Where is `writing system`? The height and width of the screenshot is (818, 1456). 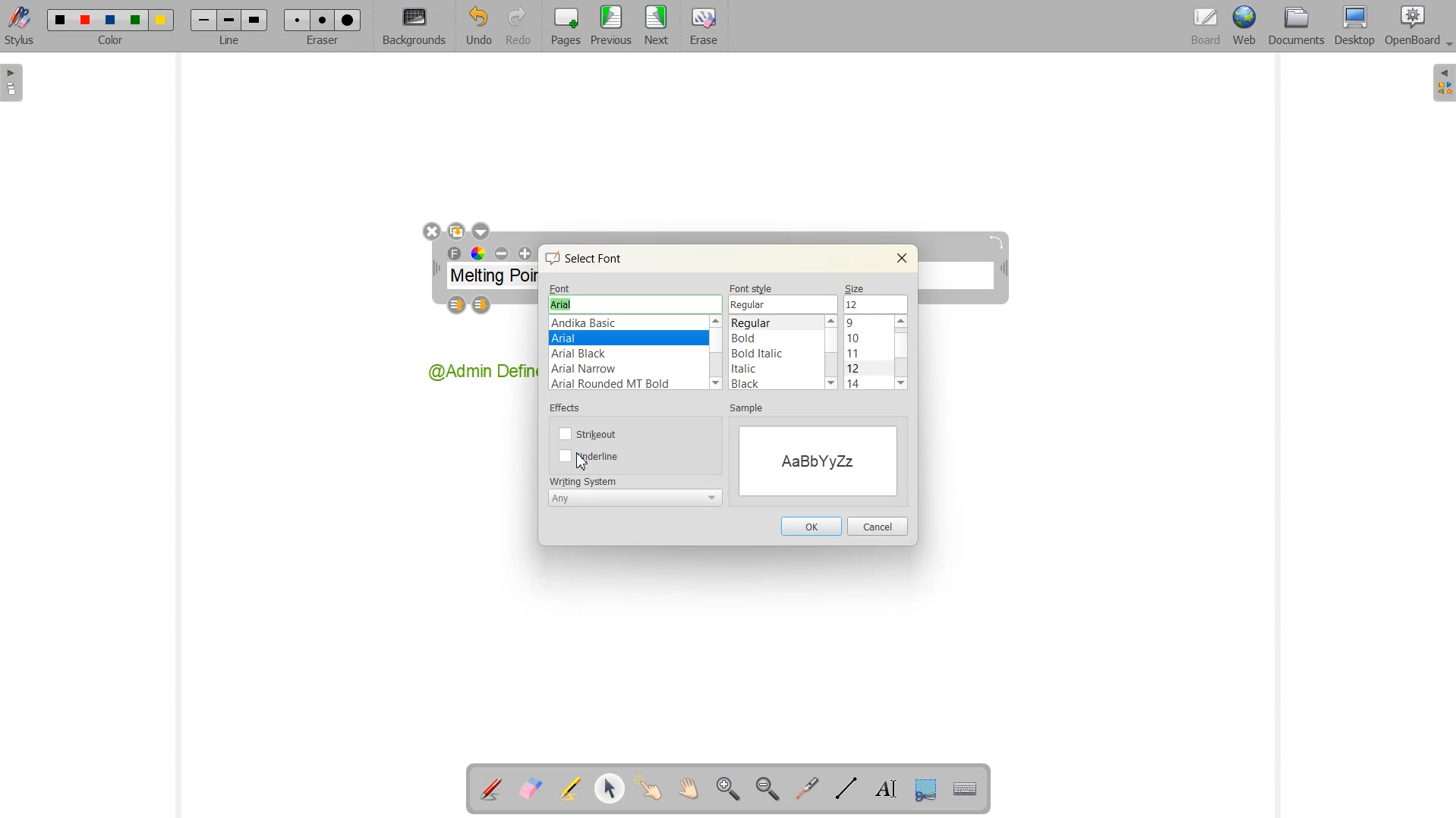
writing system is located at coordinates (583, 480).